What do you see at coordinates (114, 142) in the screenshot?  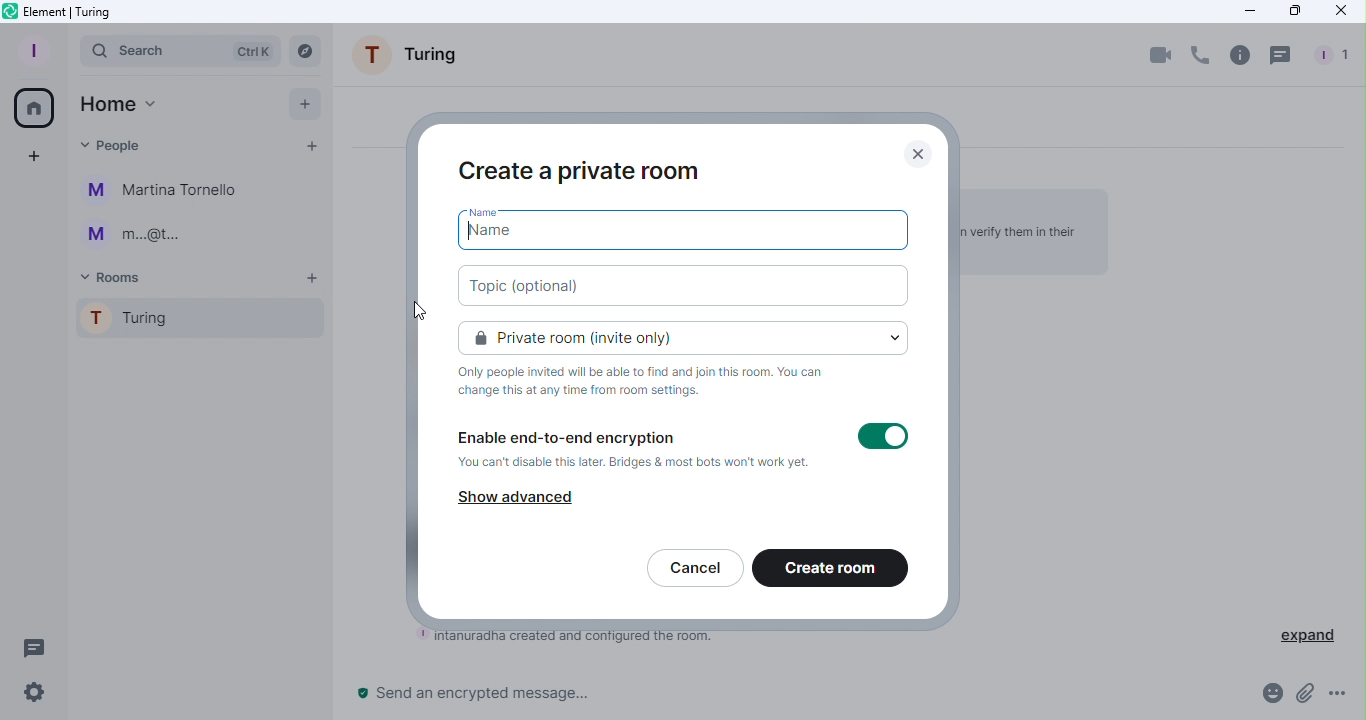 I see `People` at bounding box center [114, 142].